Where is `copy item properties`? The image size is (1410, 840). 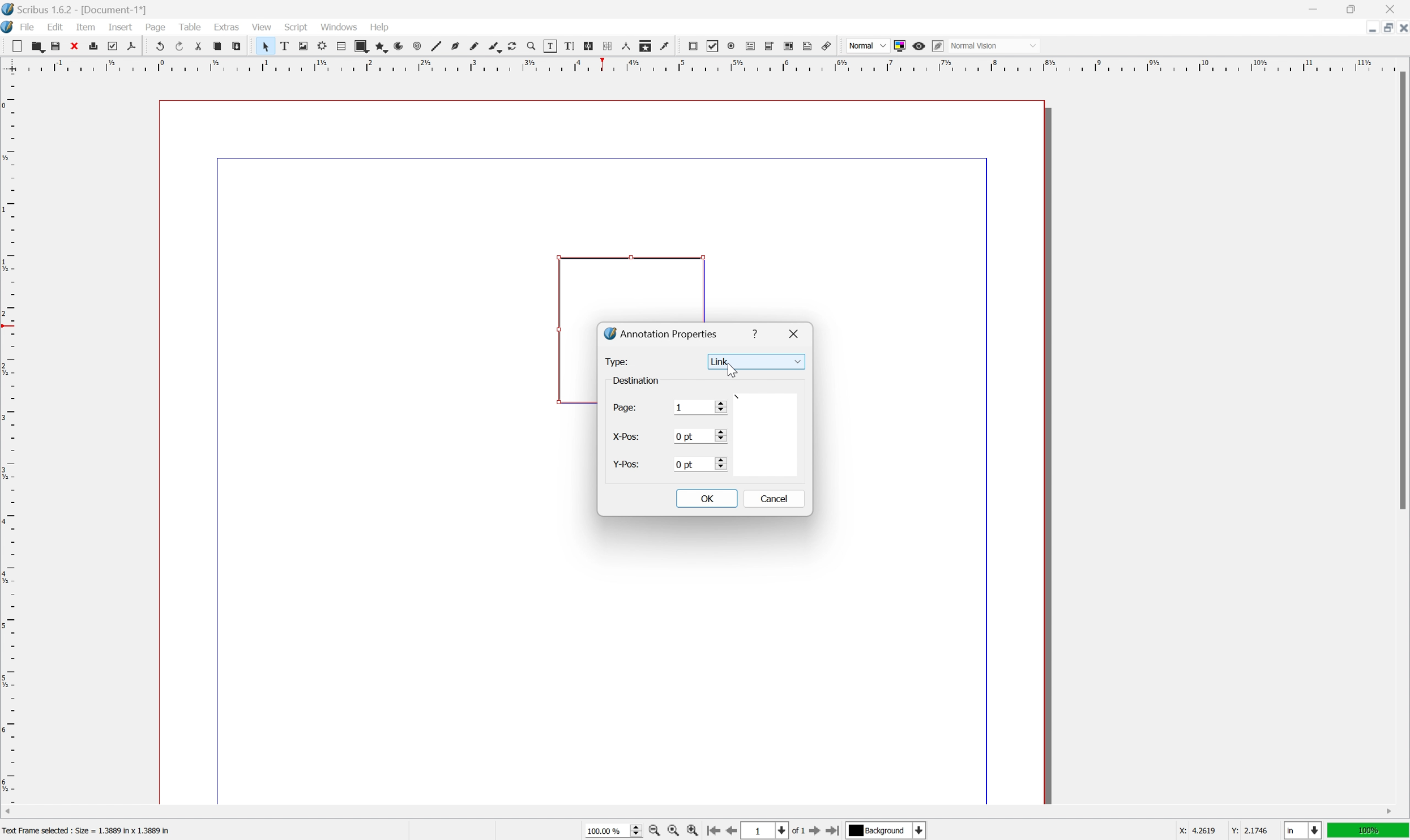
copy item properties is located at coordinates (646, 46).